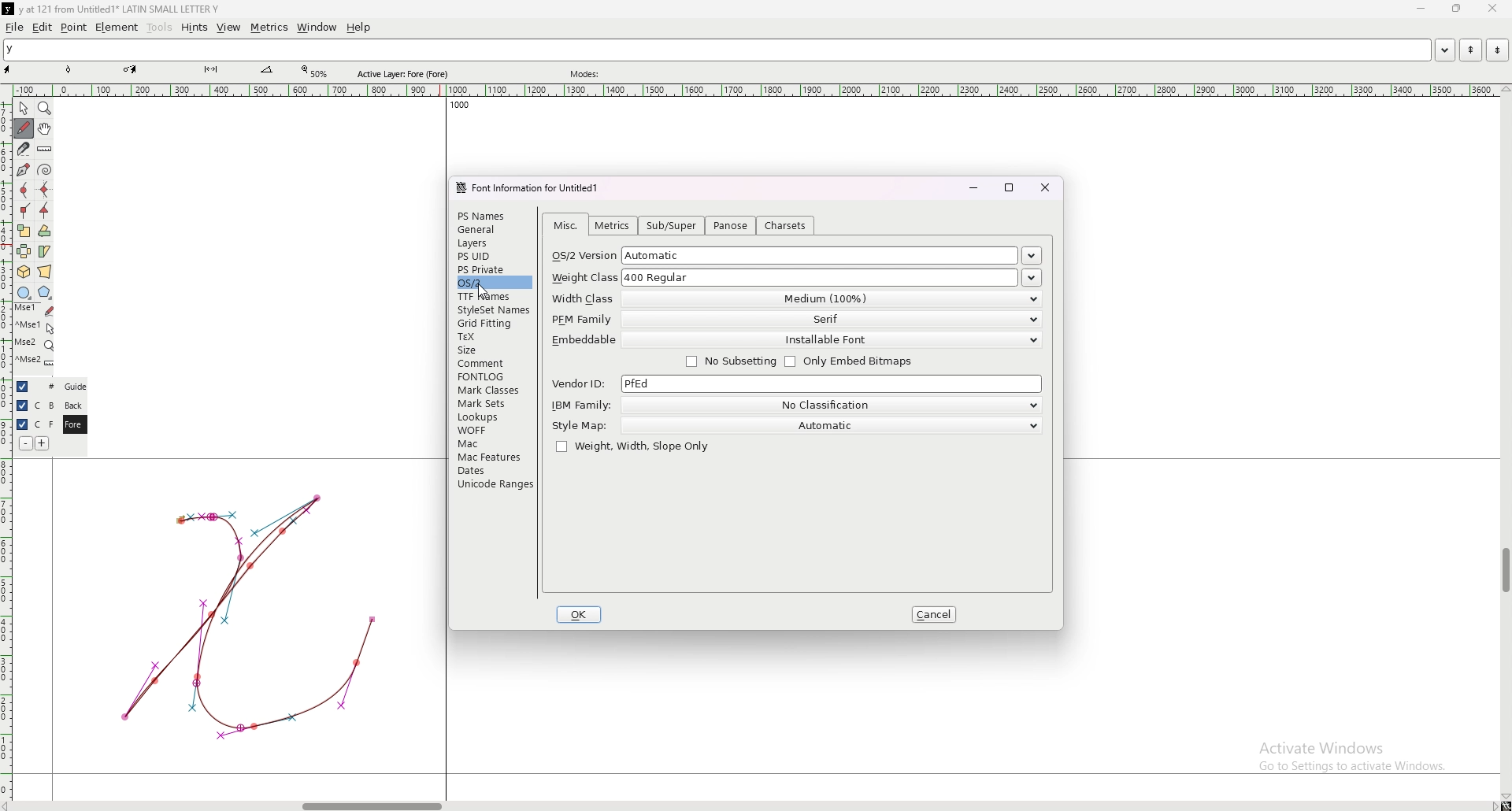  What do you see at coordinates (75, 387) in the screenshot?
I see `guide` at bounding box center [75, 387].